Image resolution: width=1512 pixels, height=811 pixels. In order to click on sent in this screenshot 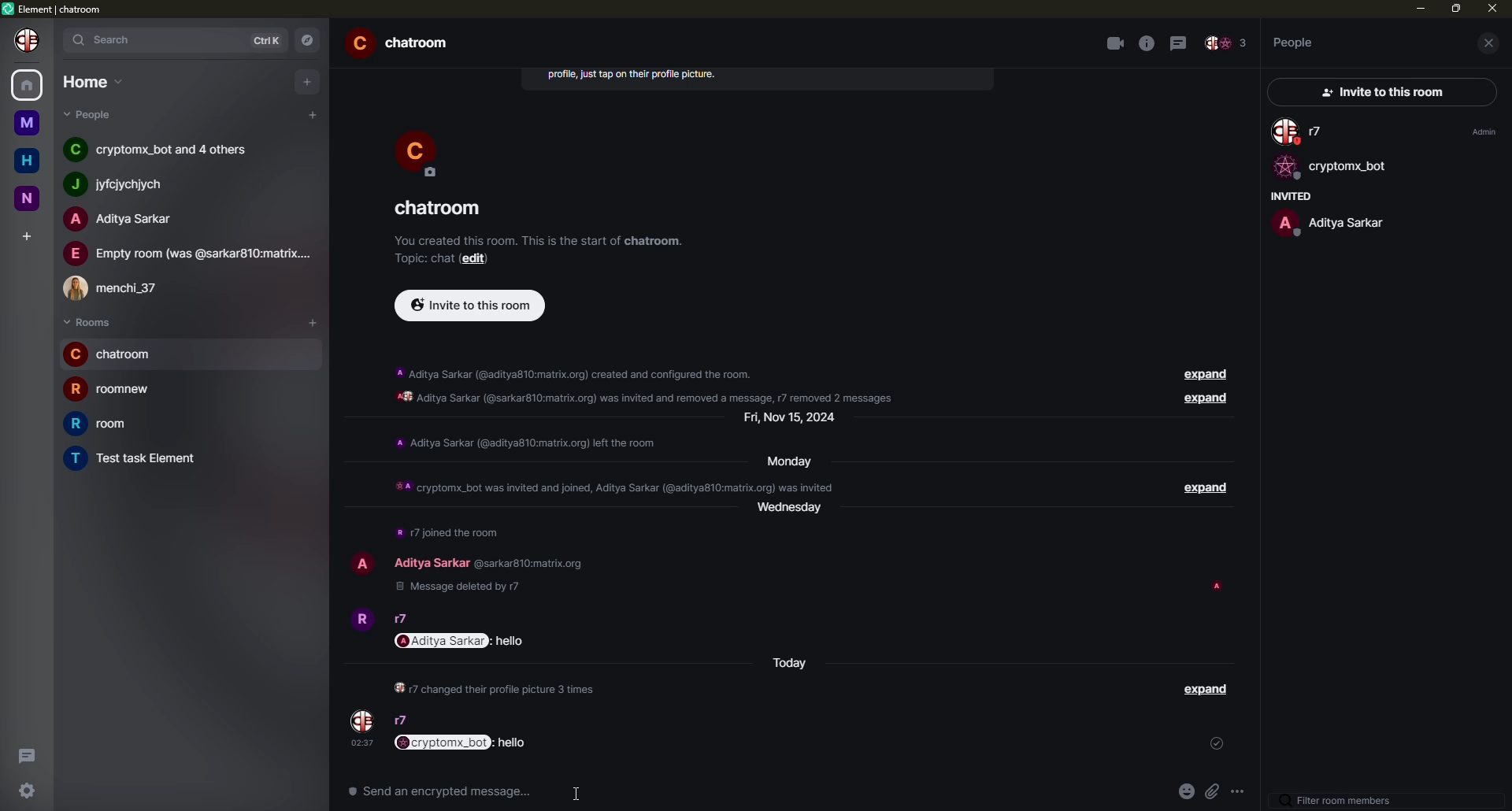, I will do `click(1206, 691)`.